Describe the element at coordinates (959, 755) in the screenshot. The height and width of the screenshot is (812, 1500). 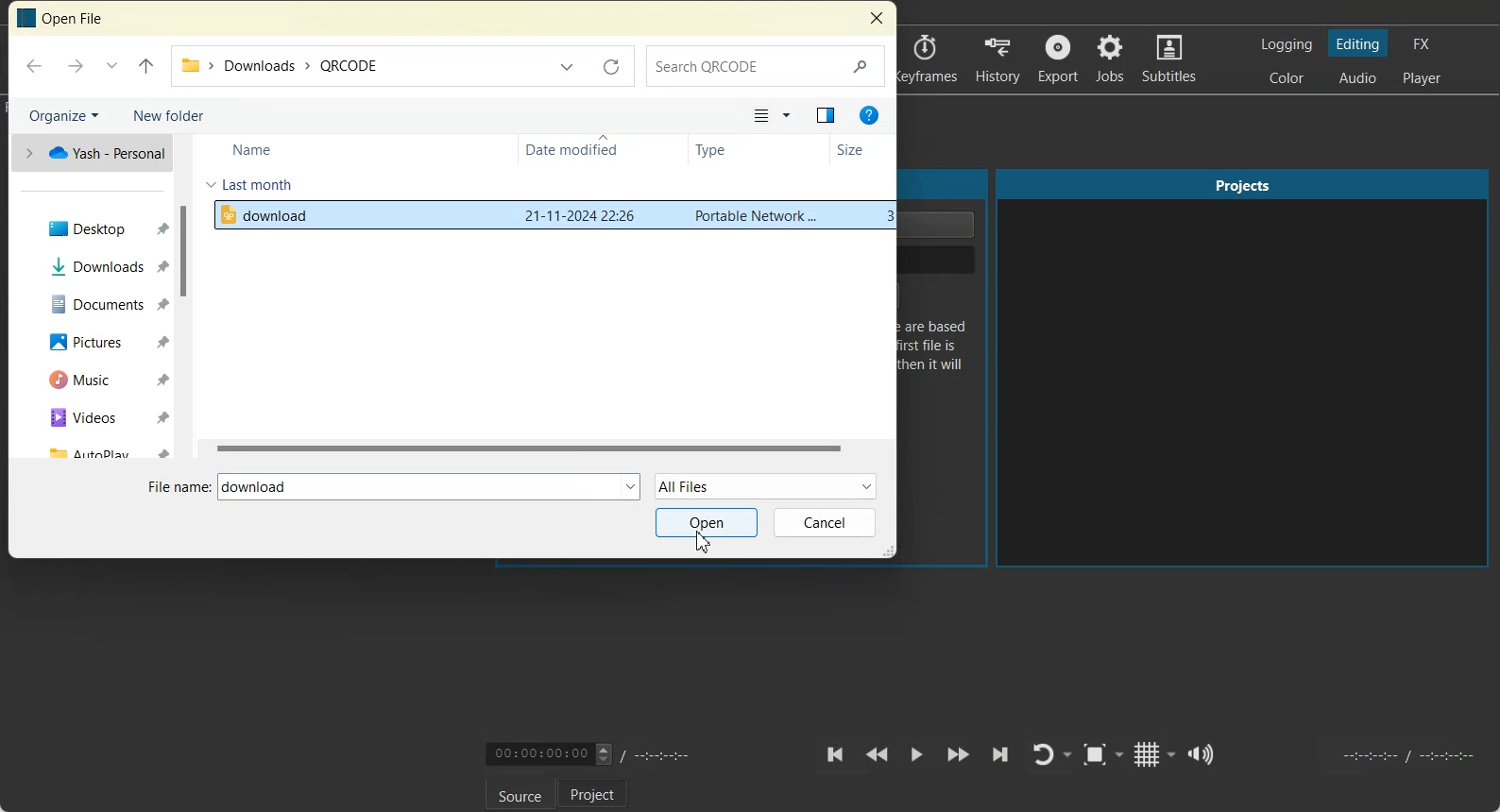
I see `Play quickly forward` at that location.